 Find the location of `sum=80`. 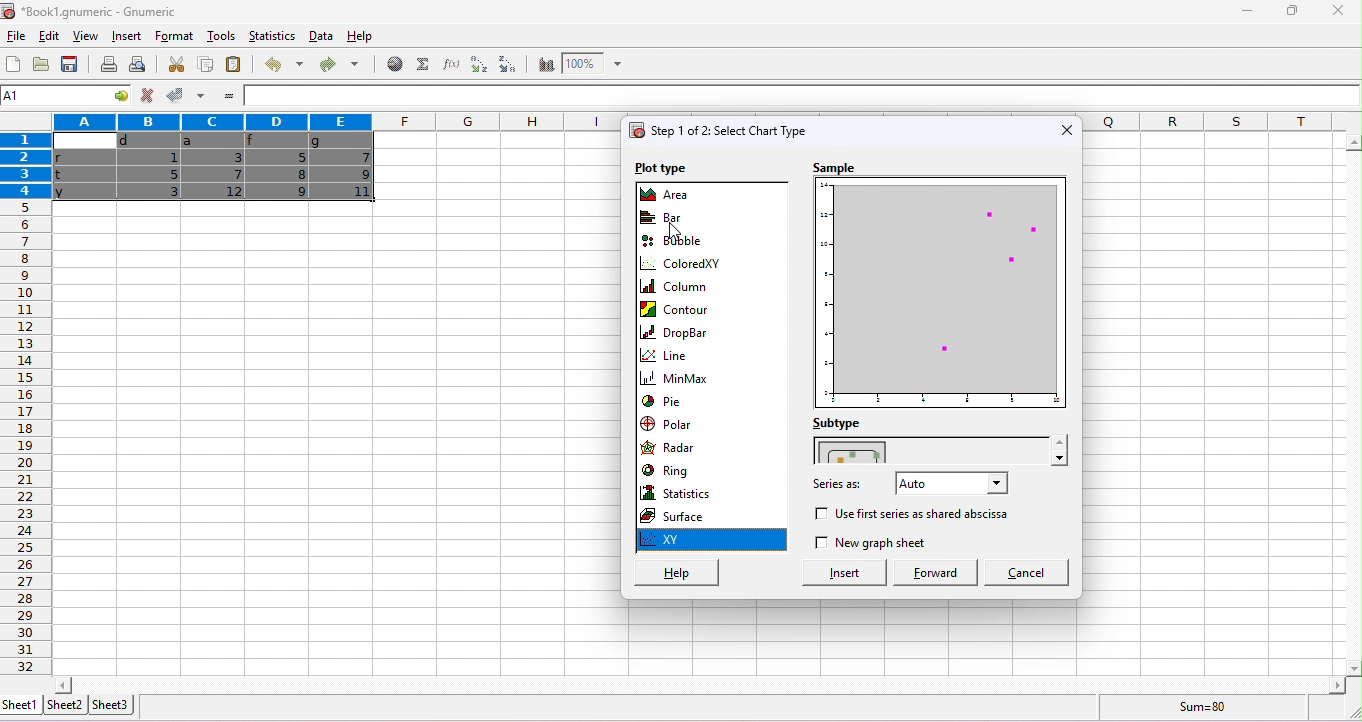

sum=80 is located at coordinates (1200, 710).